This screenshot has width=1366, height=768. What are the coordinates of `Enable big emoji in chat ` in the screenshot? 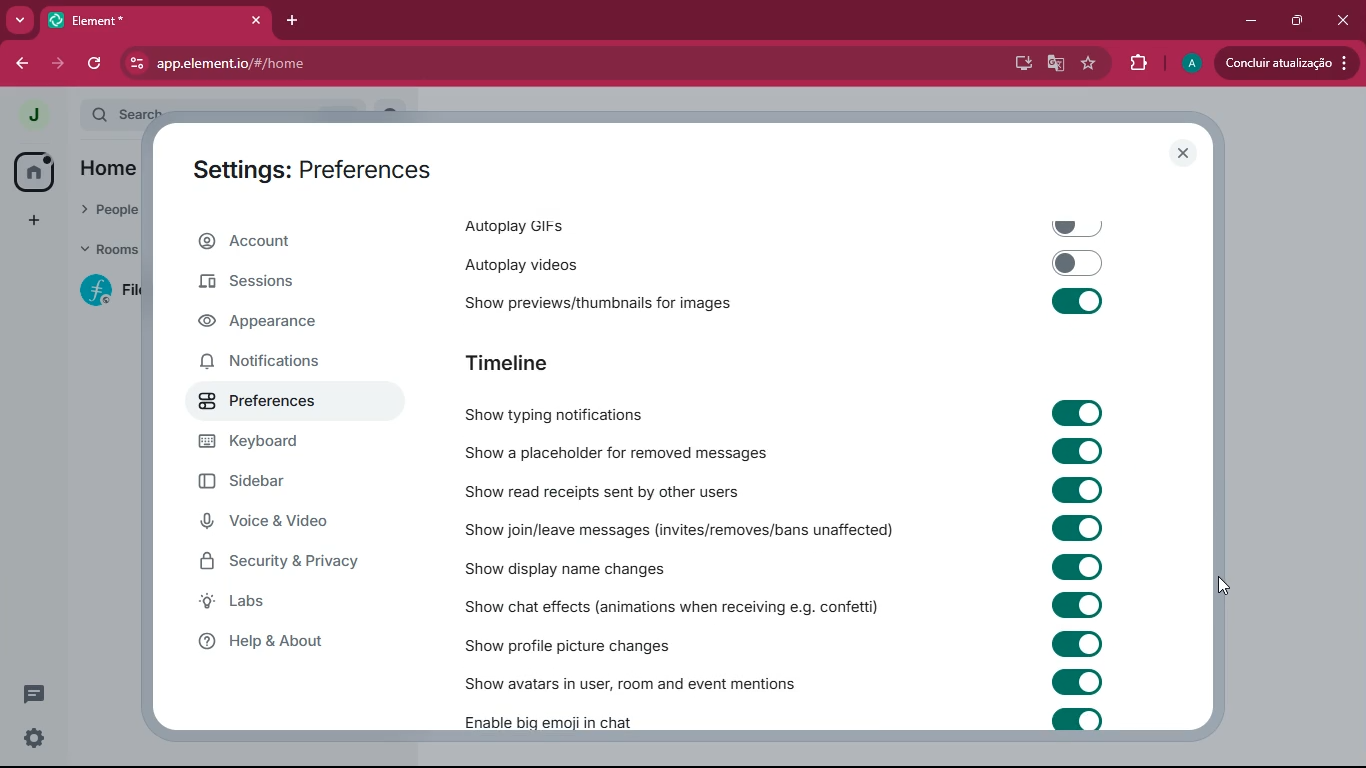 It's located at (786, 722).